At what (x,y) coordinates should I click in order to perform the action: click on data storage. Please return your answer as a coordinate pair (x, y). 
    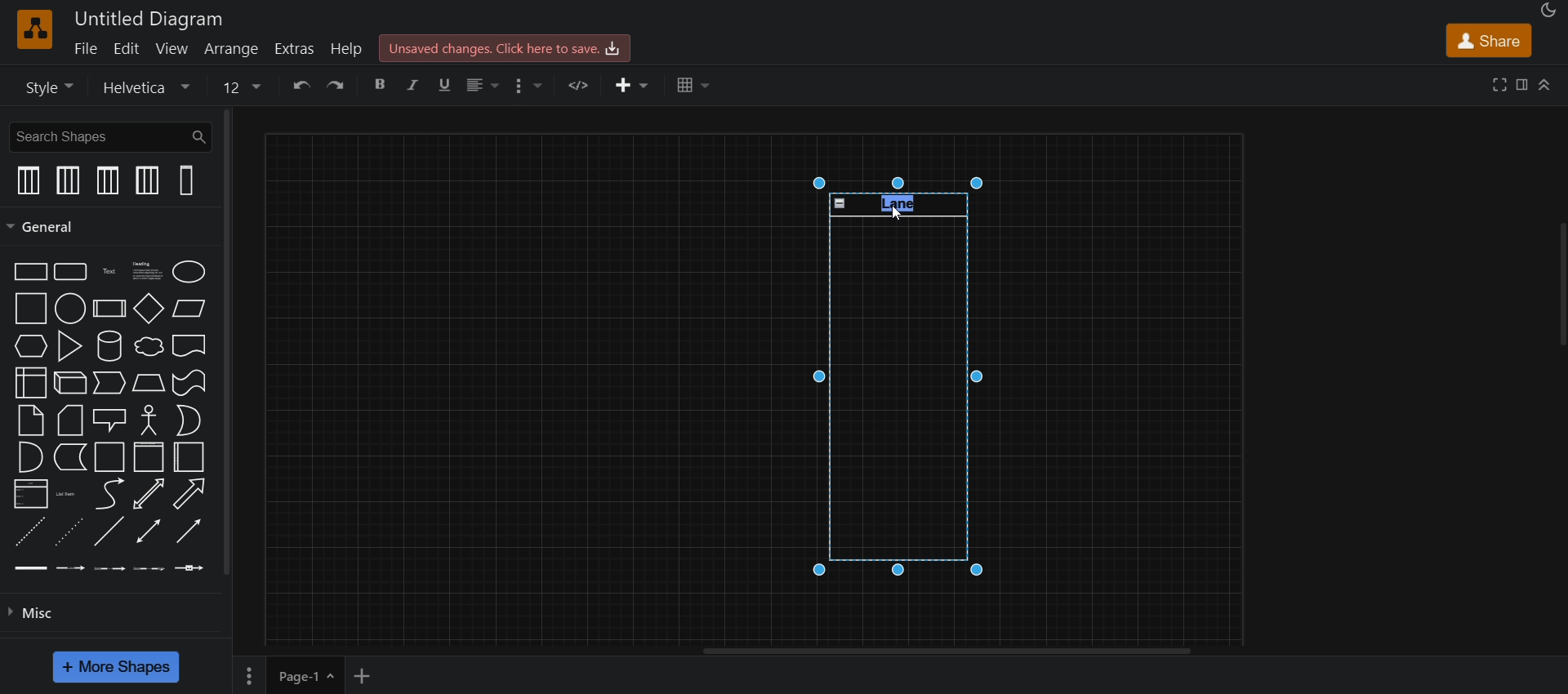
    Looking at the image, I should click on (69, 459).